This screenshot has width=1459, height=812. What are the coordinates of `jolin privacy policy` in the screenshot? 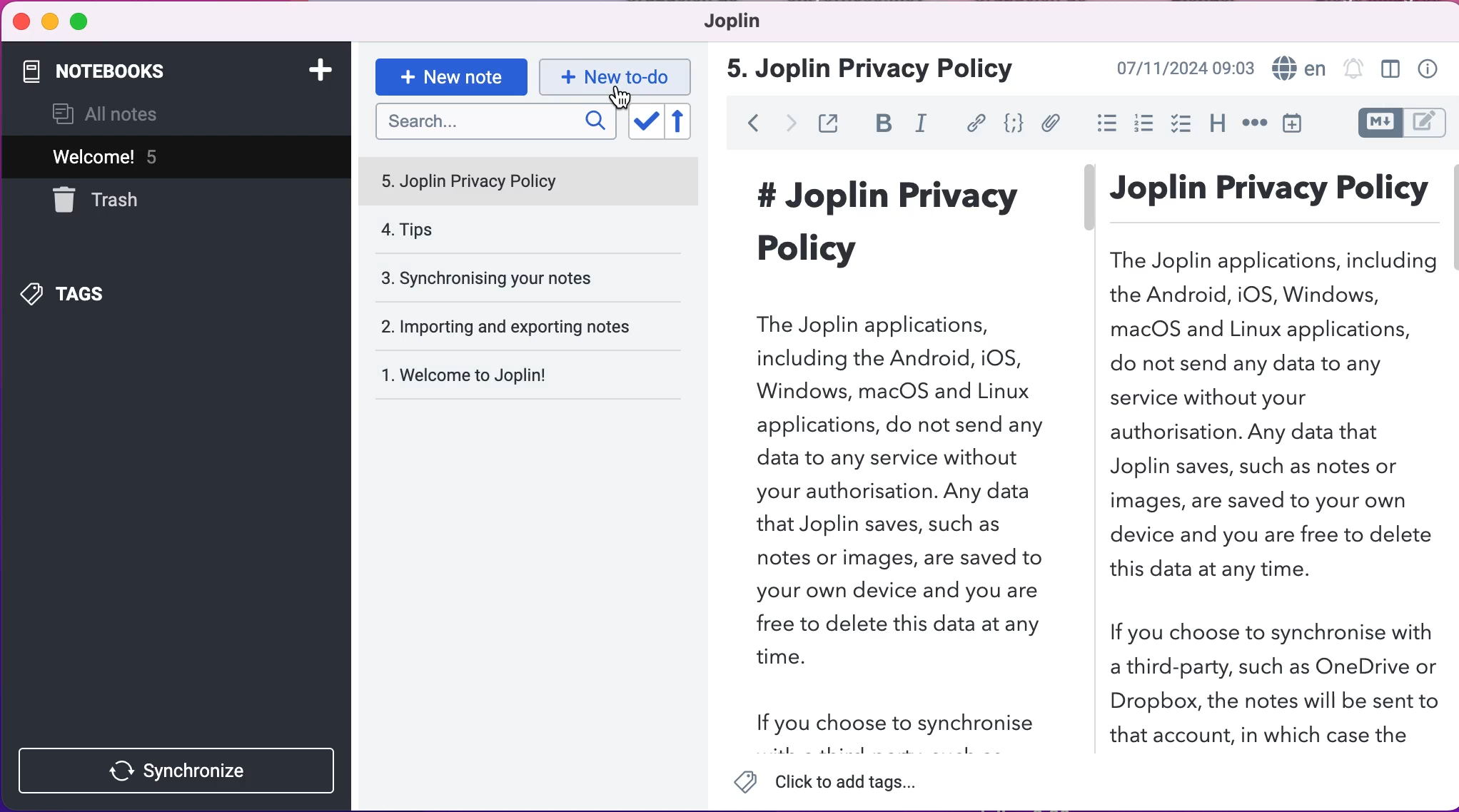 It's located at (877, 67).